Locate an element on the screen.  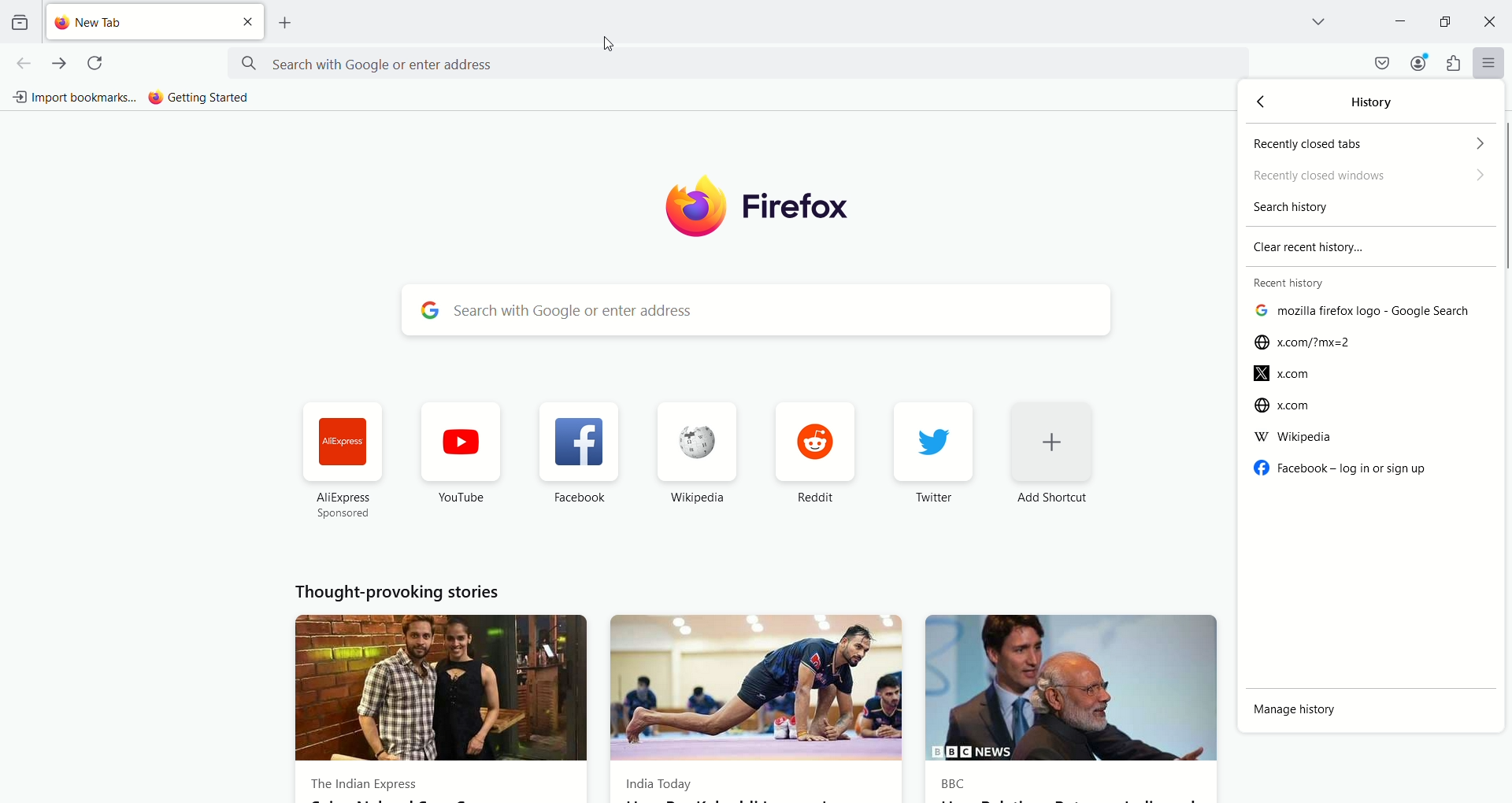
close is located at coordinates (247, 21).